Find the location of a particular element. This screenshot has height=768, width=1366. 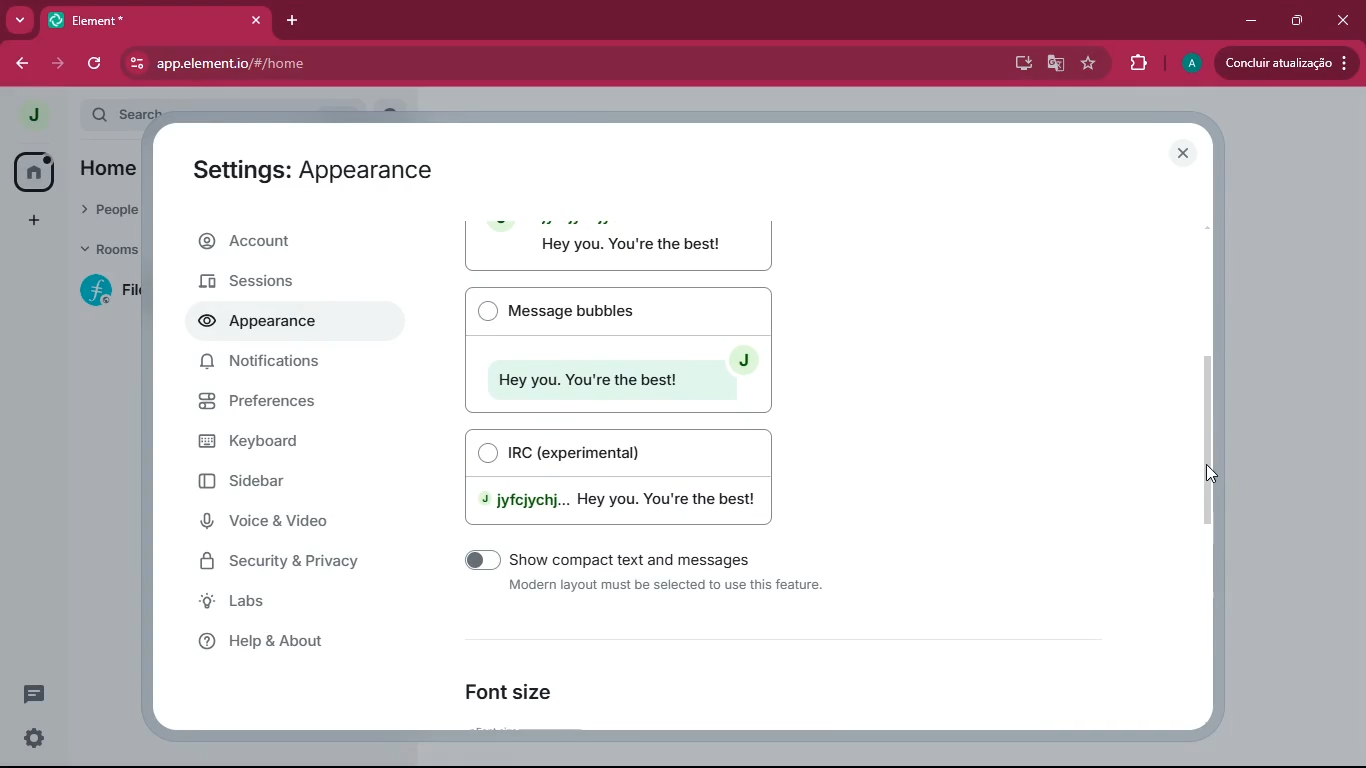

forward is located at coordinates (61, 65).